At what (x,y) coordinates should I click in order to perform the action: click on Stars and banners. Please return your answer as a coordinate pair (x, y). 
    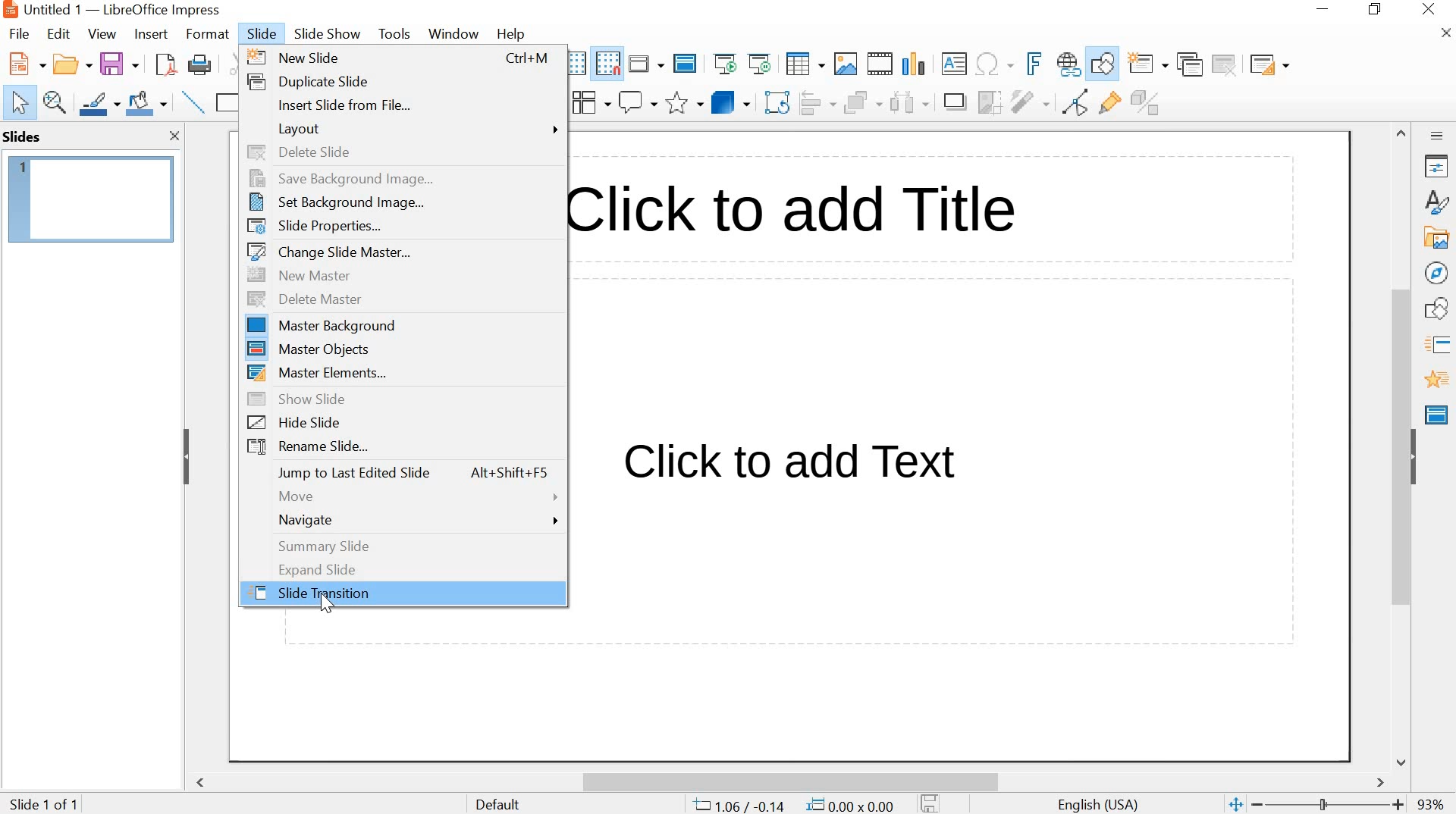
    Looking at the image, I should click on (683, 104).